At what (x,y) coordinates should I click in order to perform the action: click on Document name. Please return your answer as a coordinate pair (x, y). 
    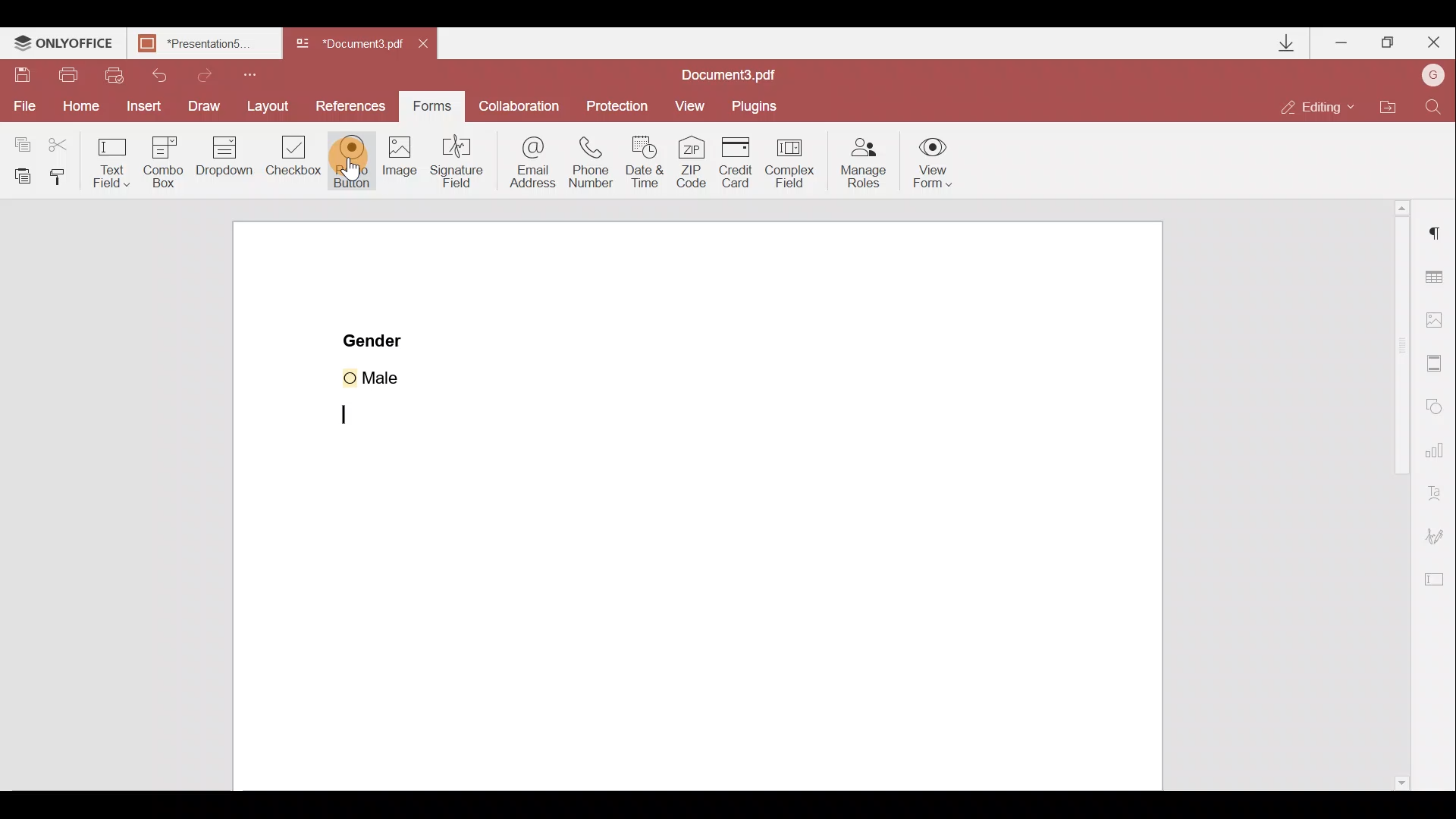
    Looking at the image, I should click on (202, 43).